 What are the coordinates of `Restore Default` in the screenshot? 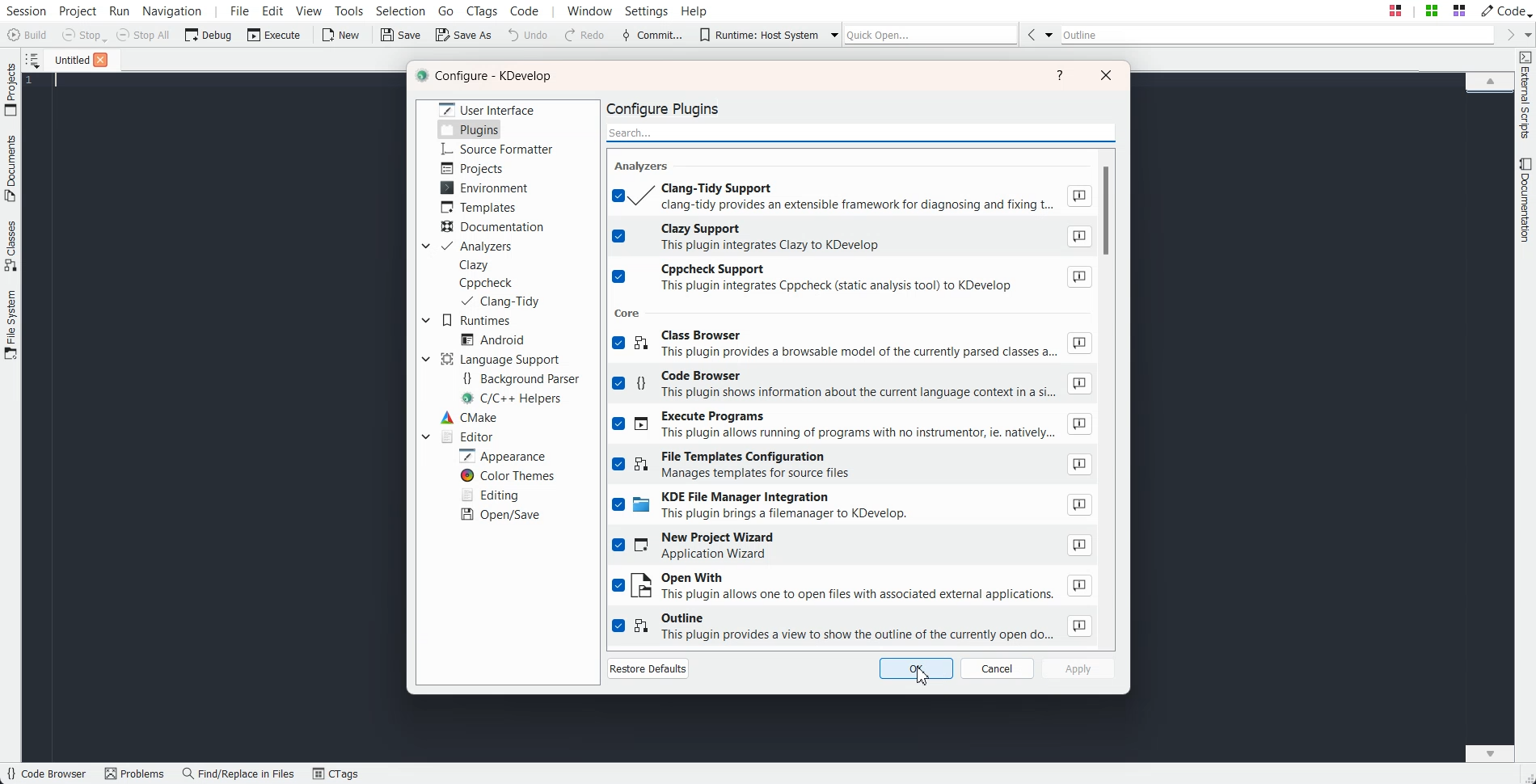 It's located at (648, 668).